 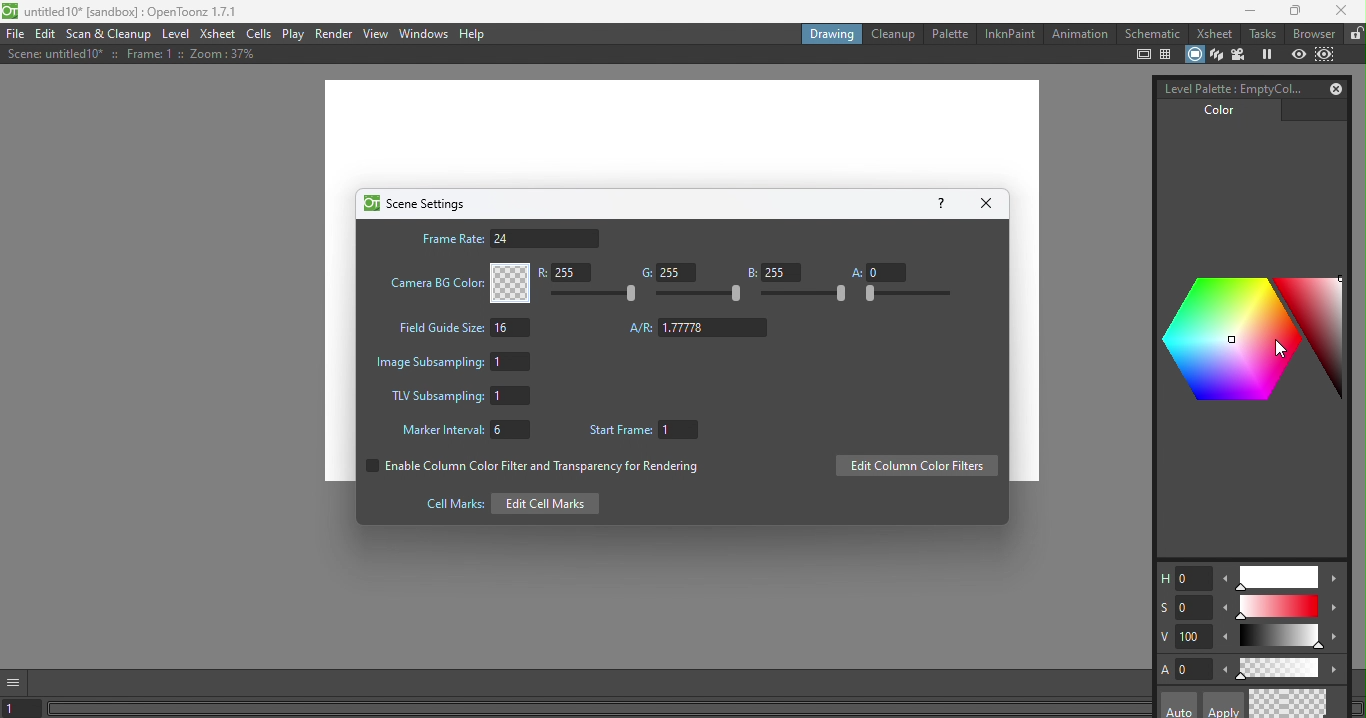 What do you see at coordinates (376, 33) in the screenshot?
I see `View` at bounding box center [376, 33].